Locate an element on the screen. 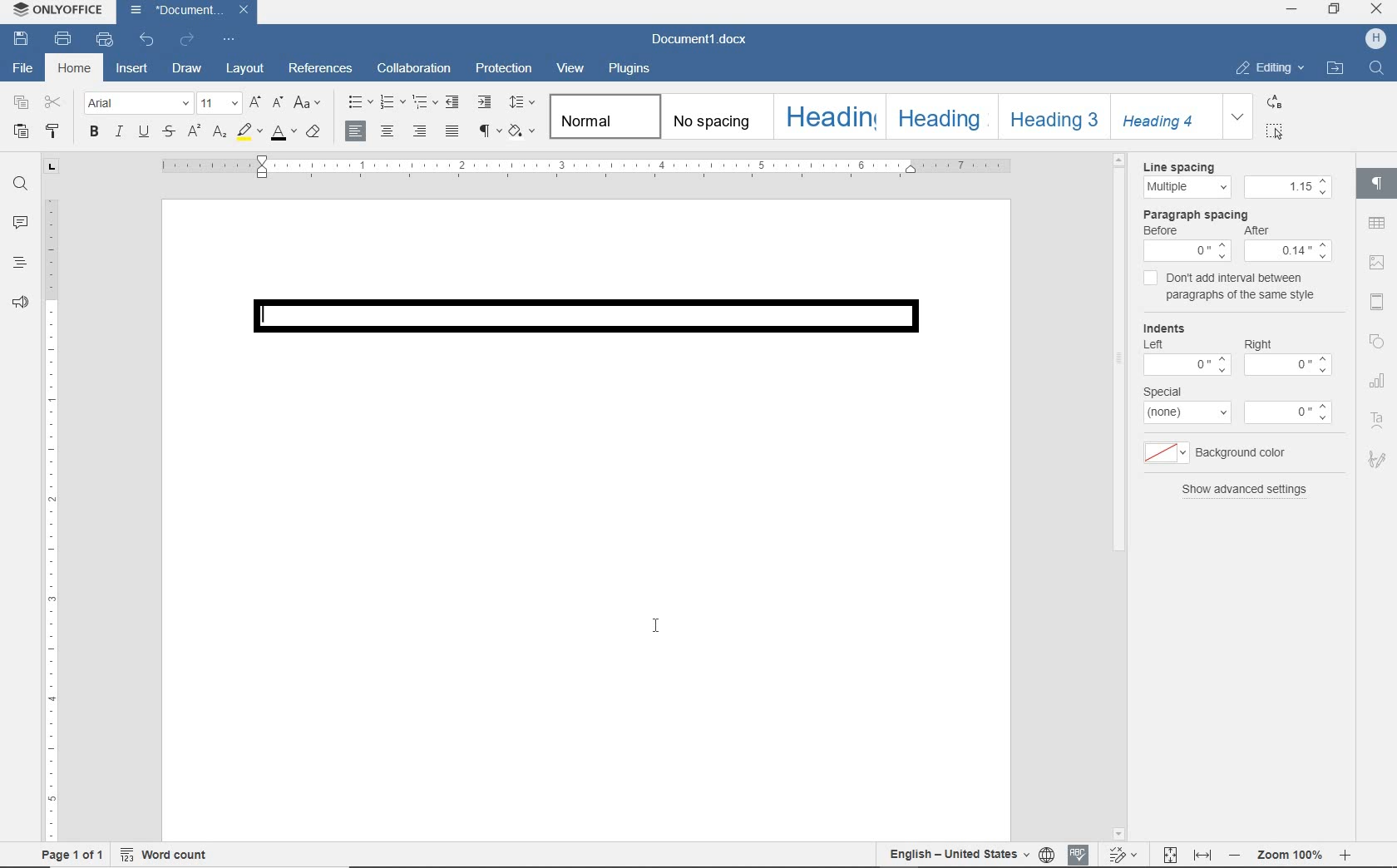  layout is located at coordinates (244, 70).